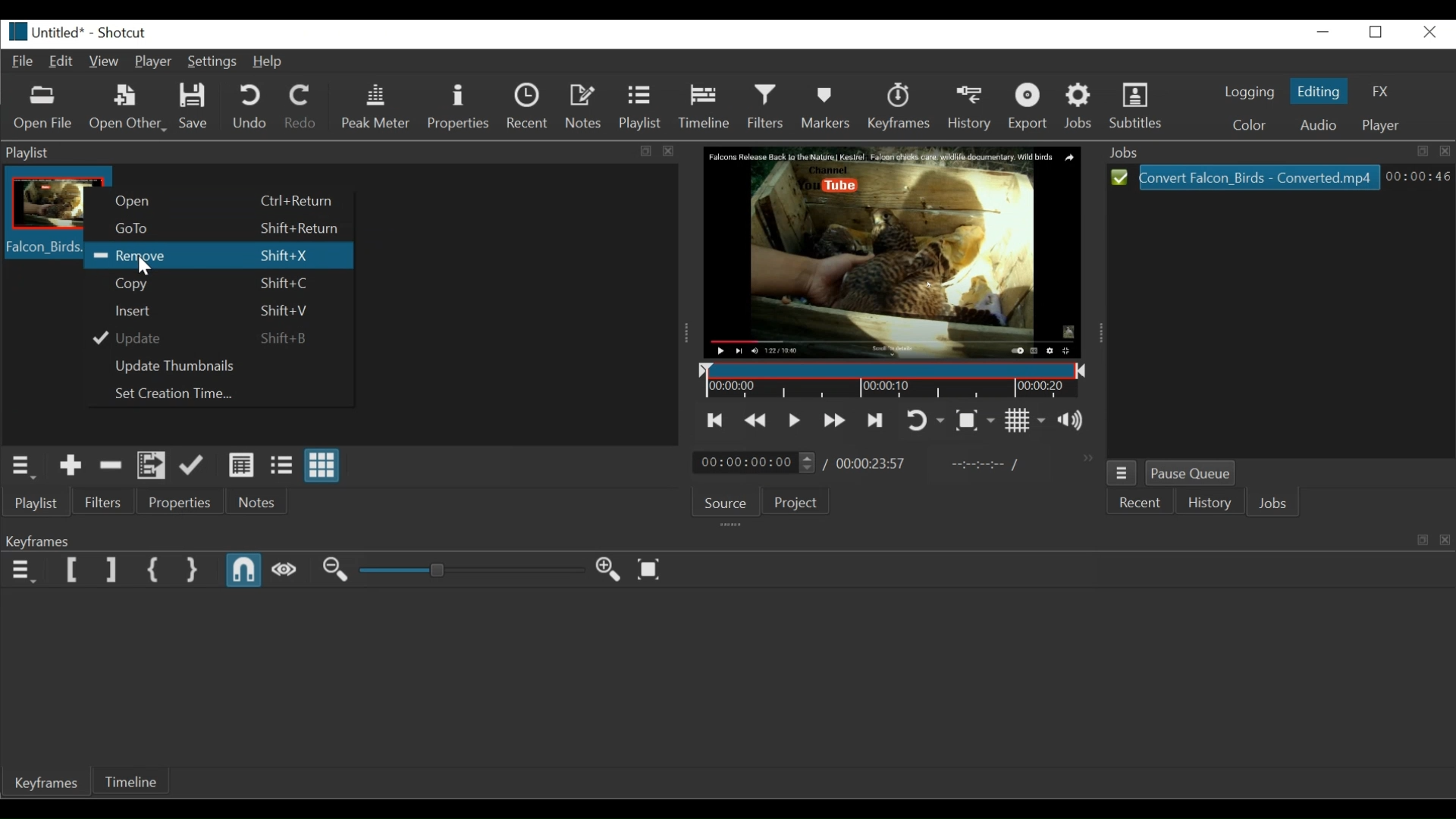 The image size is (1456, 819). I want to click on Insert Shift+V, so click(213, 310).